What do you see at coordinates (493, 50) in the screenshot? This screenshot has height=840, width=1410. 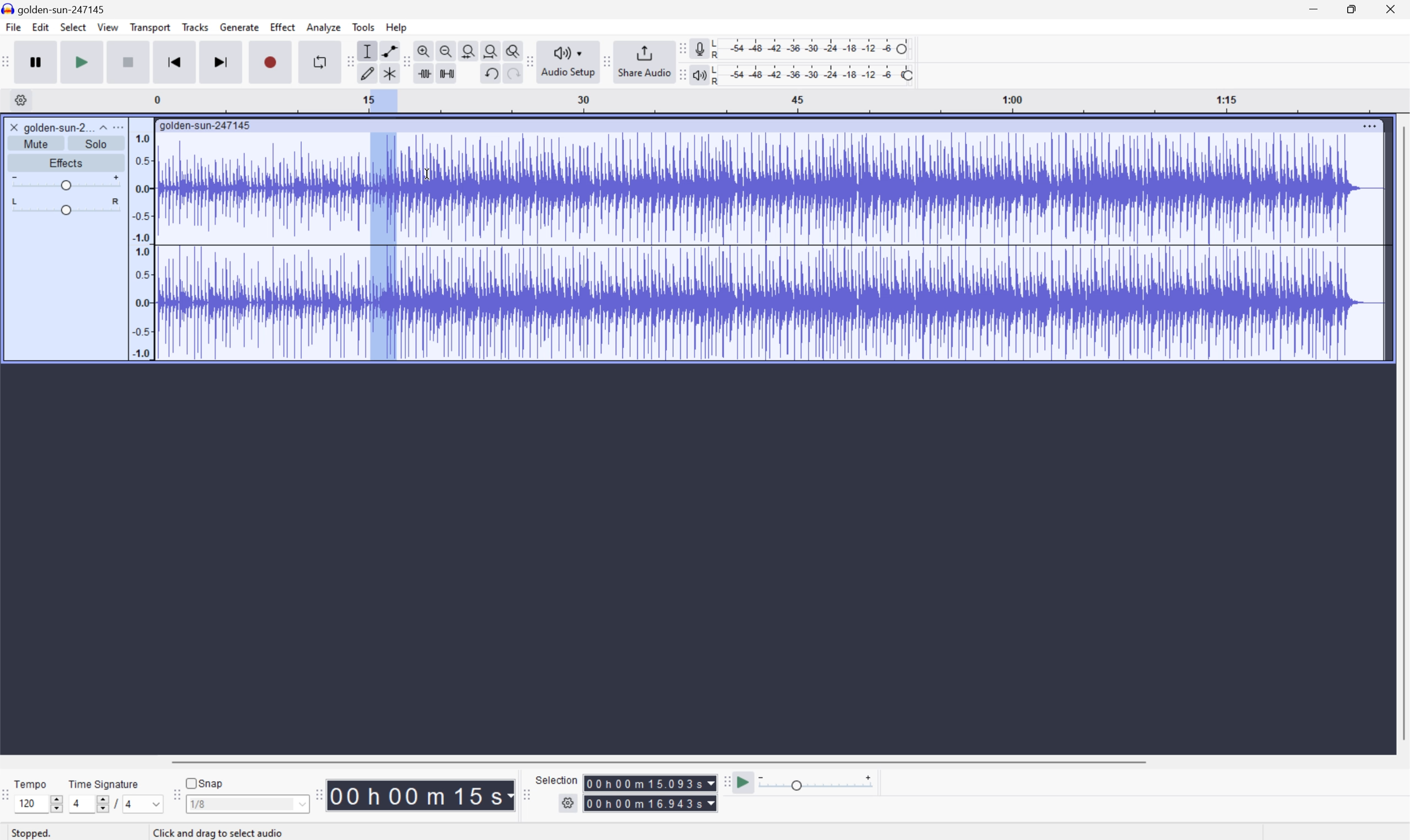 I see `Fit project to width` at bounding box center [493, 50].